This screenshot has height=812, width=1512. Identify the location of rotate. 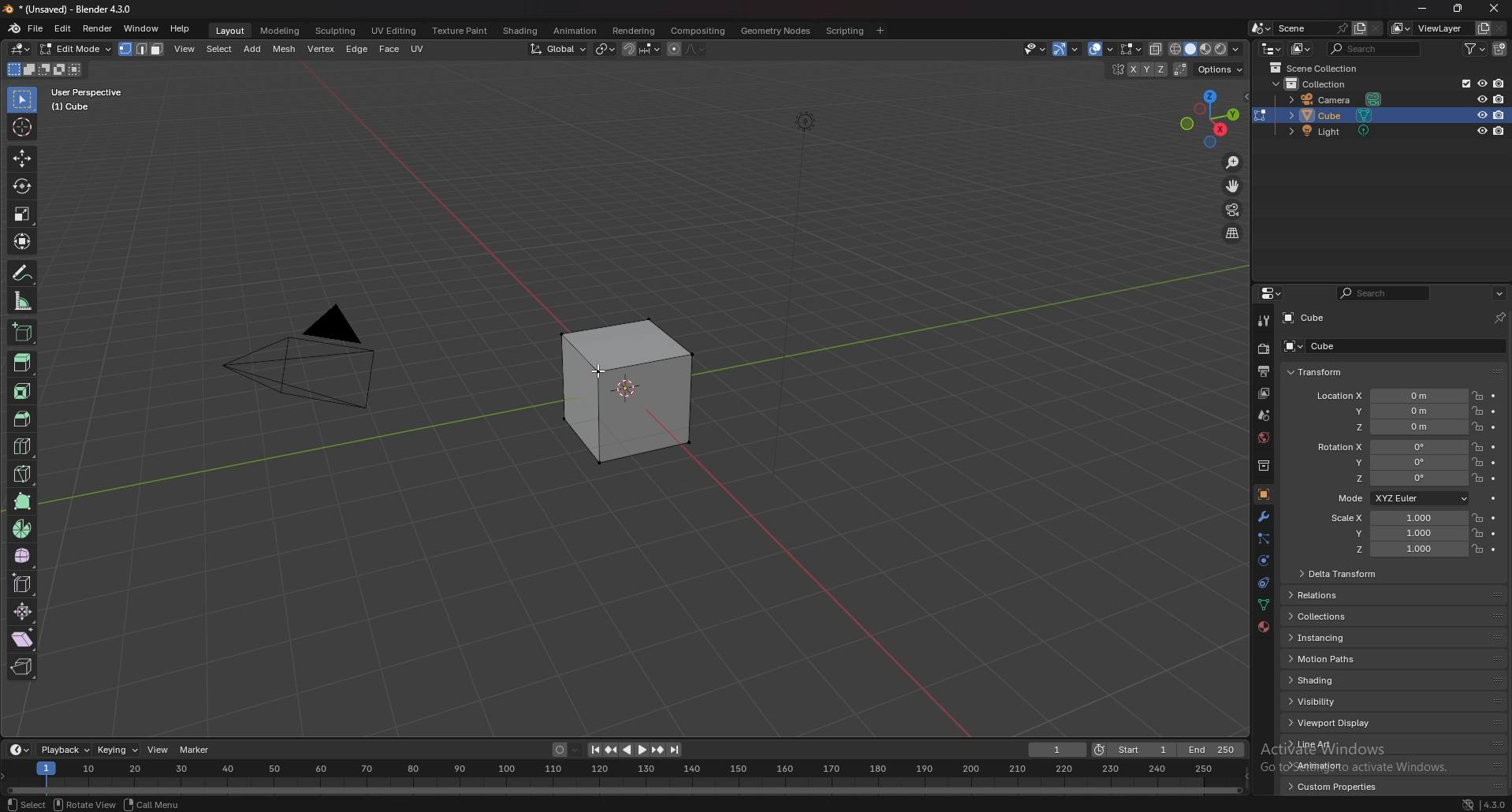
(23, 186).